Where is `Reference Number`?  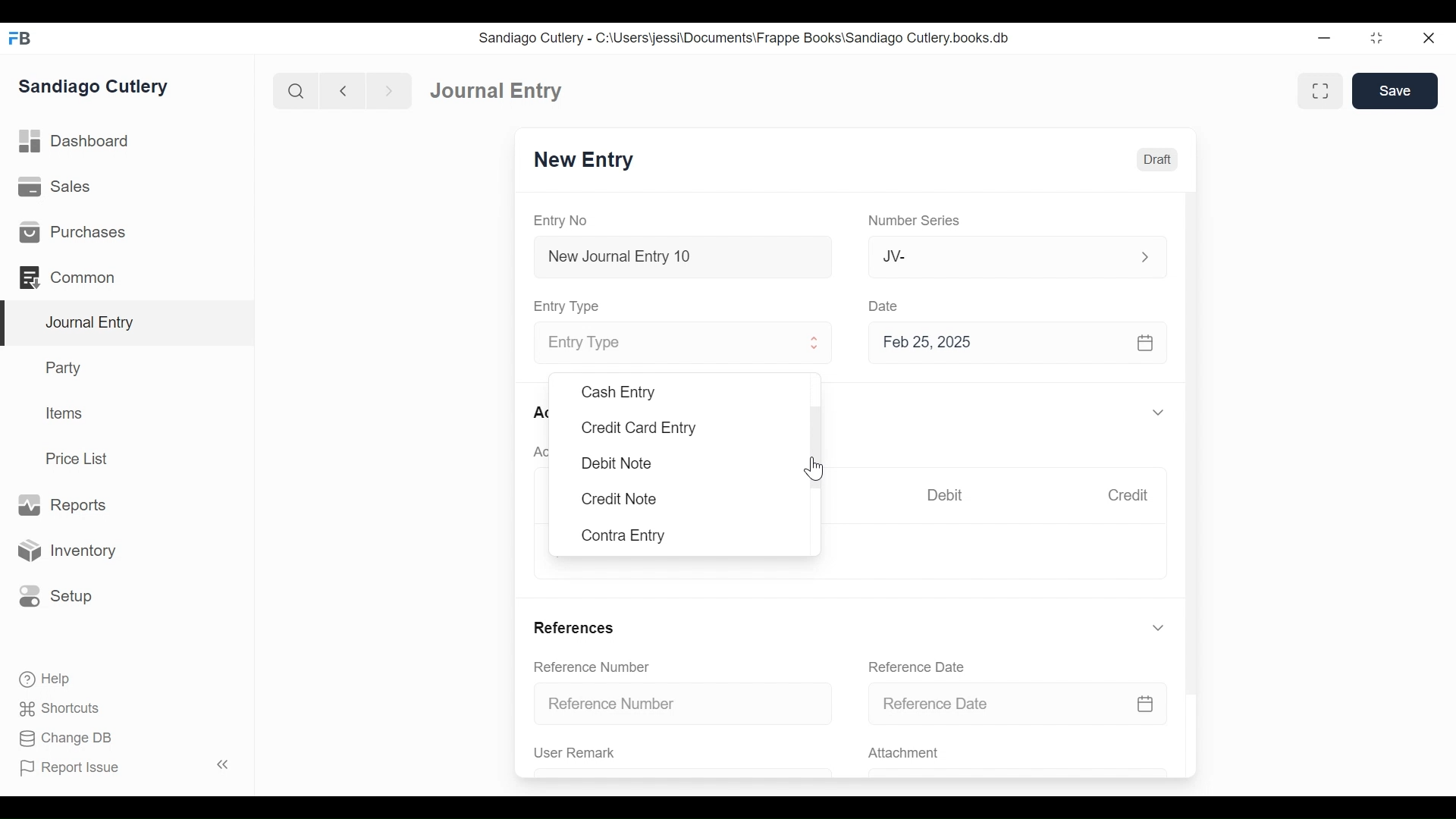
Reference Number is located at coordinates (595, 668).